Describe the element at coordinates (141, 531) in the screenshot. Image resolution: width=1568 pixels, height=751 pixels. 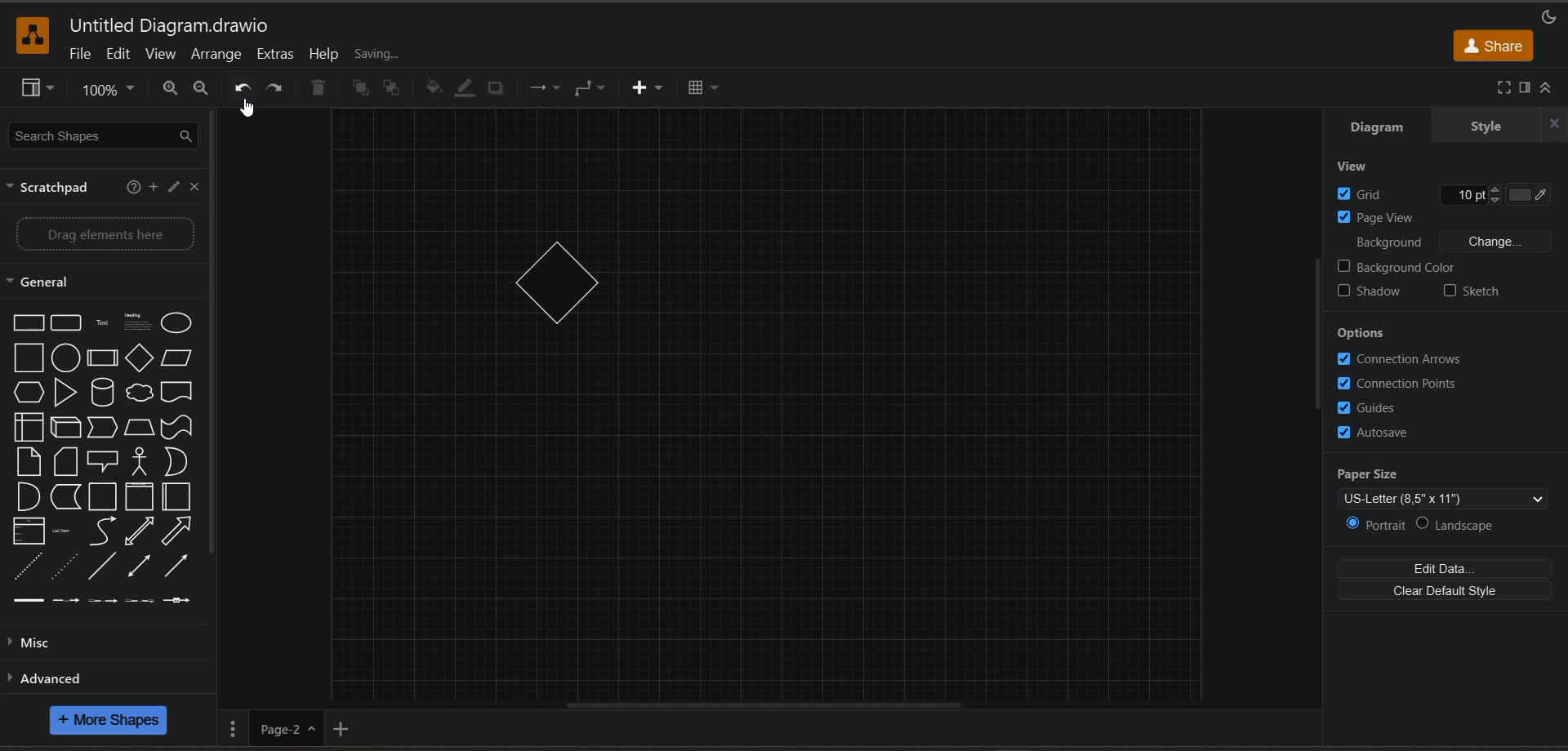
I see `Bidirectional Arrow` at that location.